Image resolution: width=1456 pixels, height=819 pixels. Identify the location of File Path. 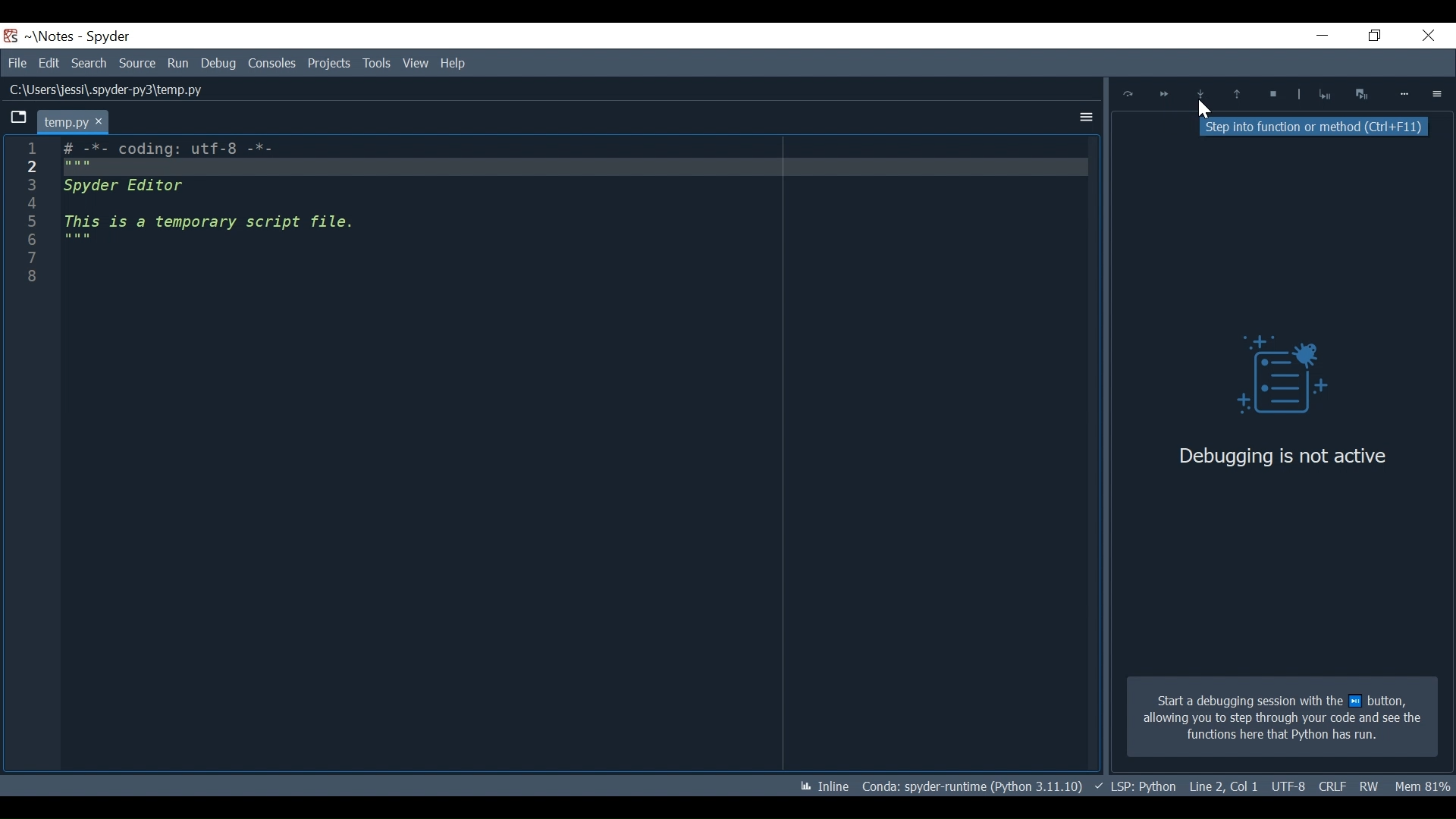
(103, 90).